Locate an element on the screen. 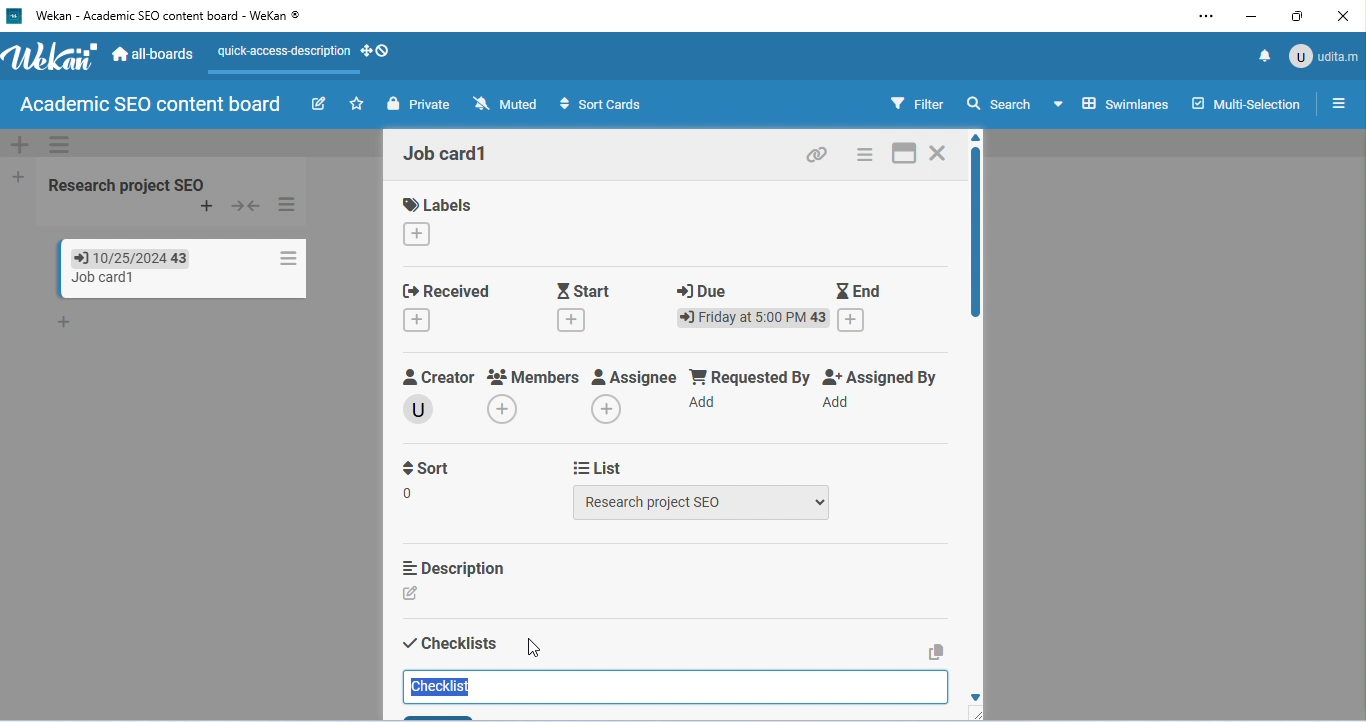 The width and height of the screenshot is (1366, 722). checklist is located at coordinates (445, 688).